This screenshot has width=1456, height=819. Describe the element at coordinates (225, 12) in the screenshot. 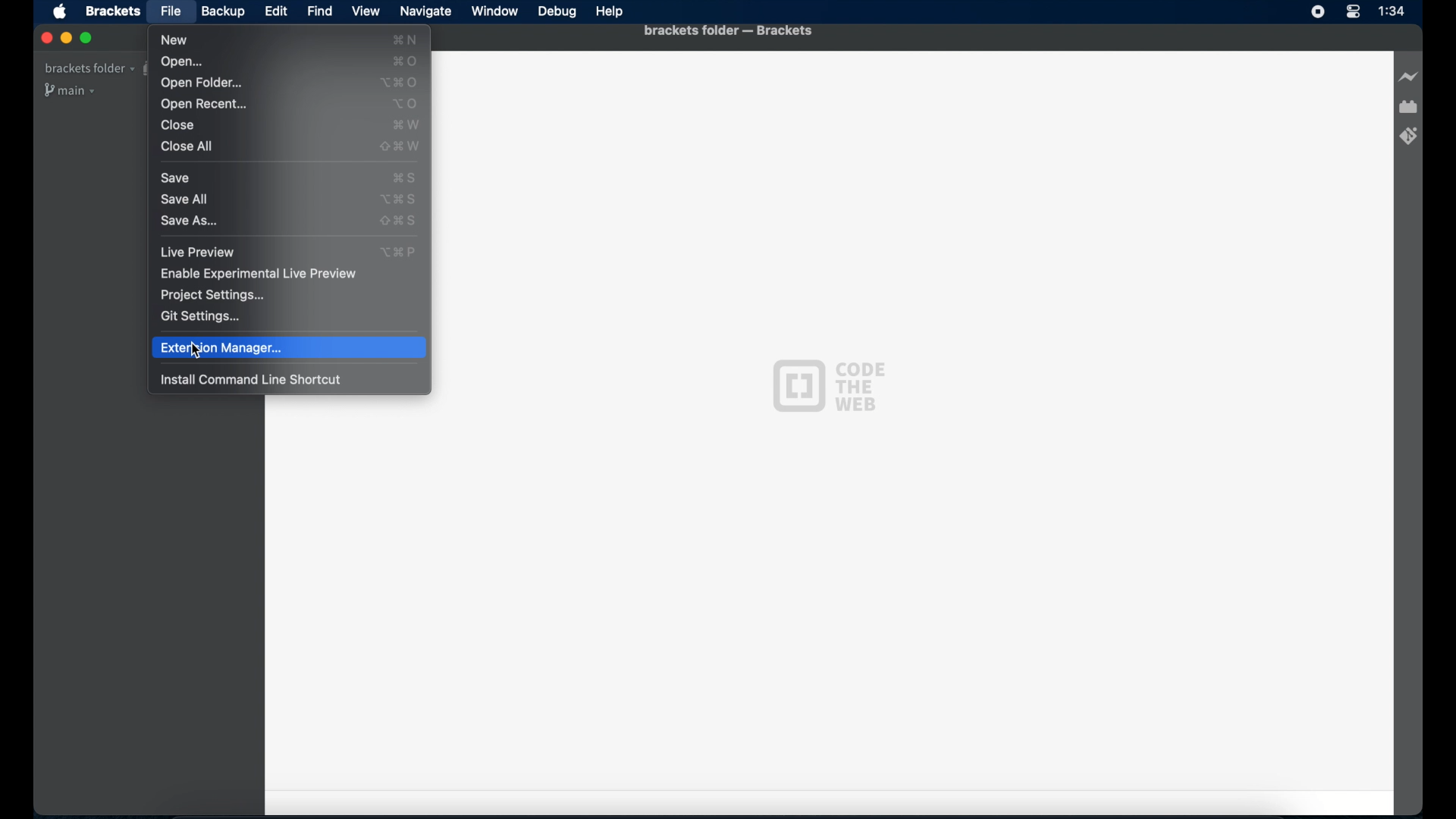

I see `Backup` at that location.